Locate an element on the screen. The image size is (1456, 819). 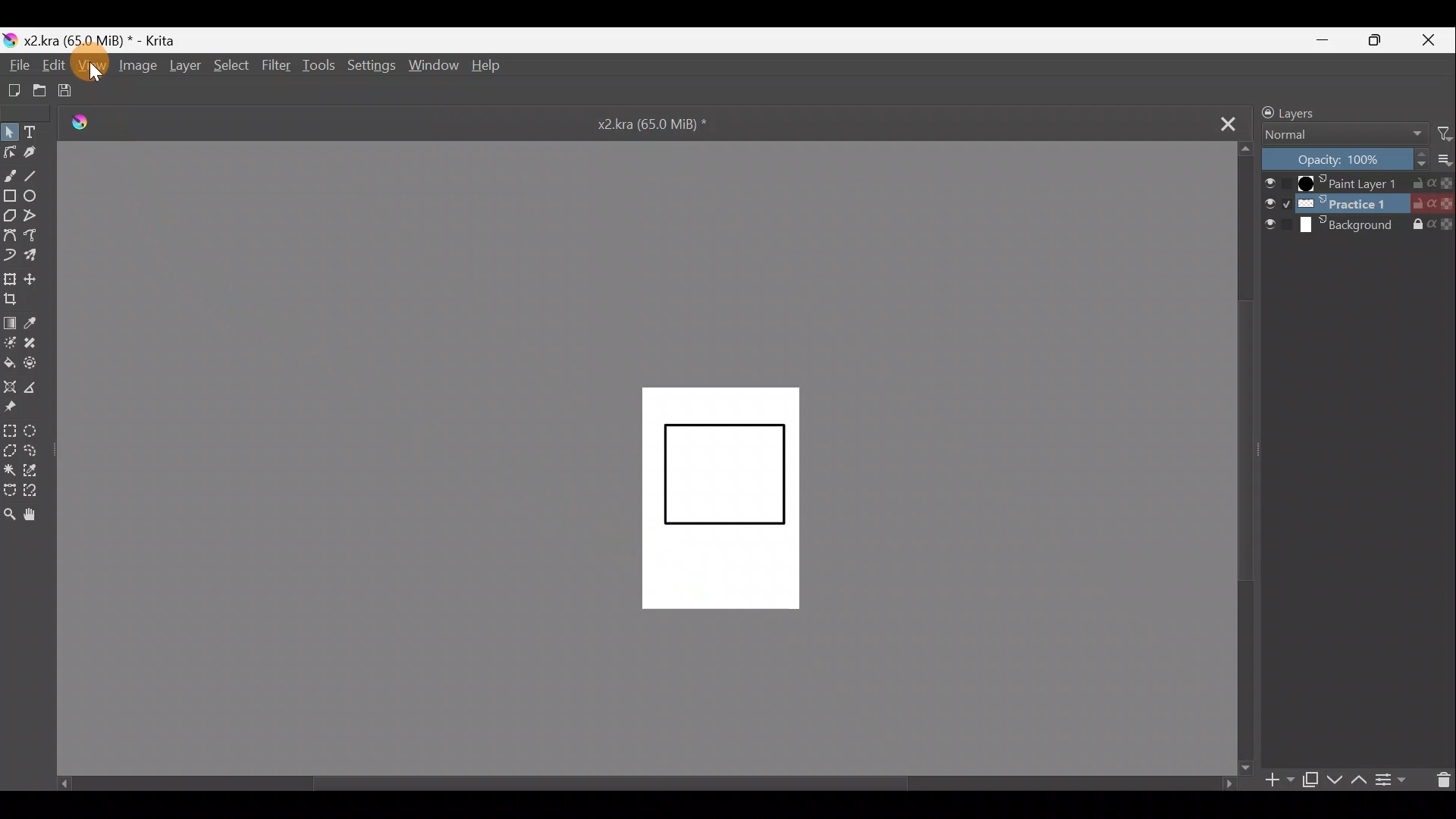
Open existing document is located at coordinates (42, 86).